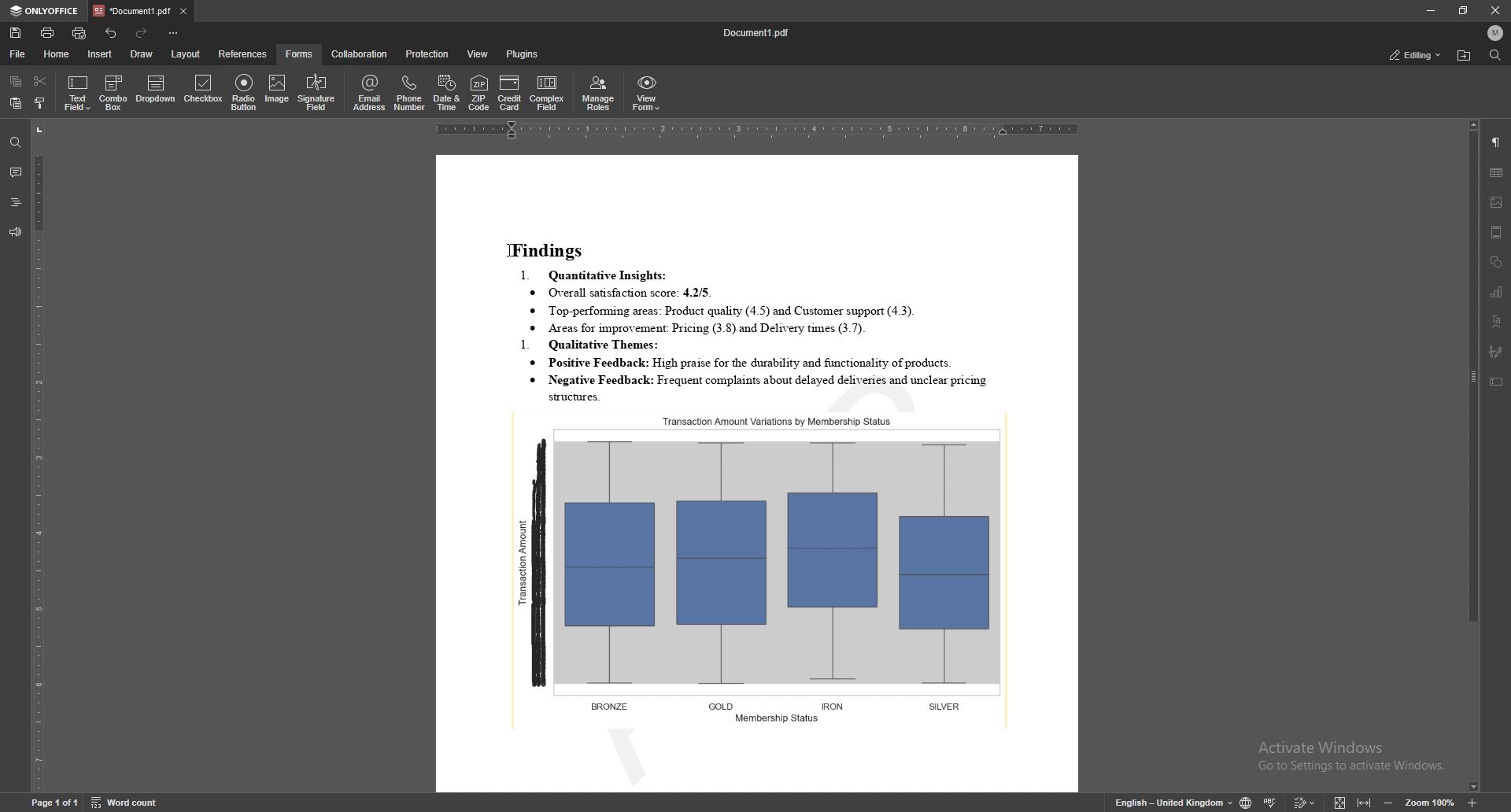 This screenshot has width=1511, height=812. What do you see at coordinates (1272, 802) in the screenshot?
I see `spell check` at bounding box center [1272, 802].